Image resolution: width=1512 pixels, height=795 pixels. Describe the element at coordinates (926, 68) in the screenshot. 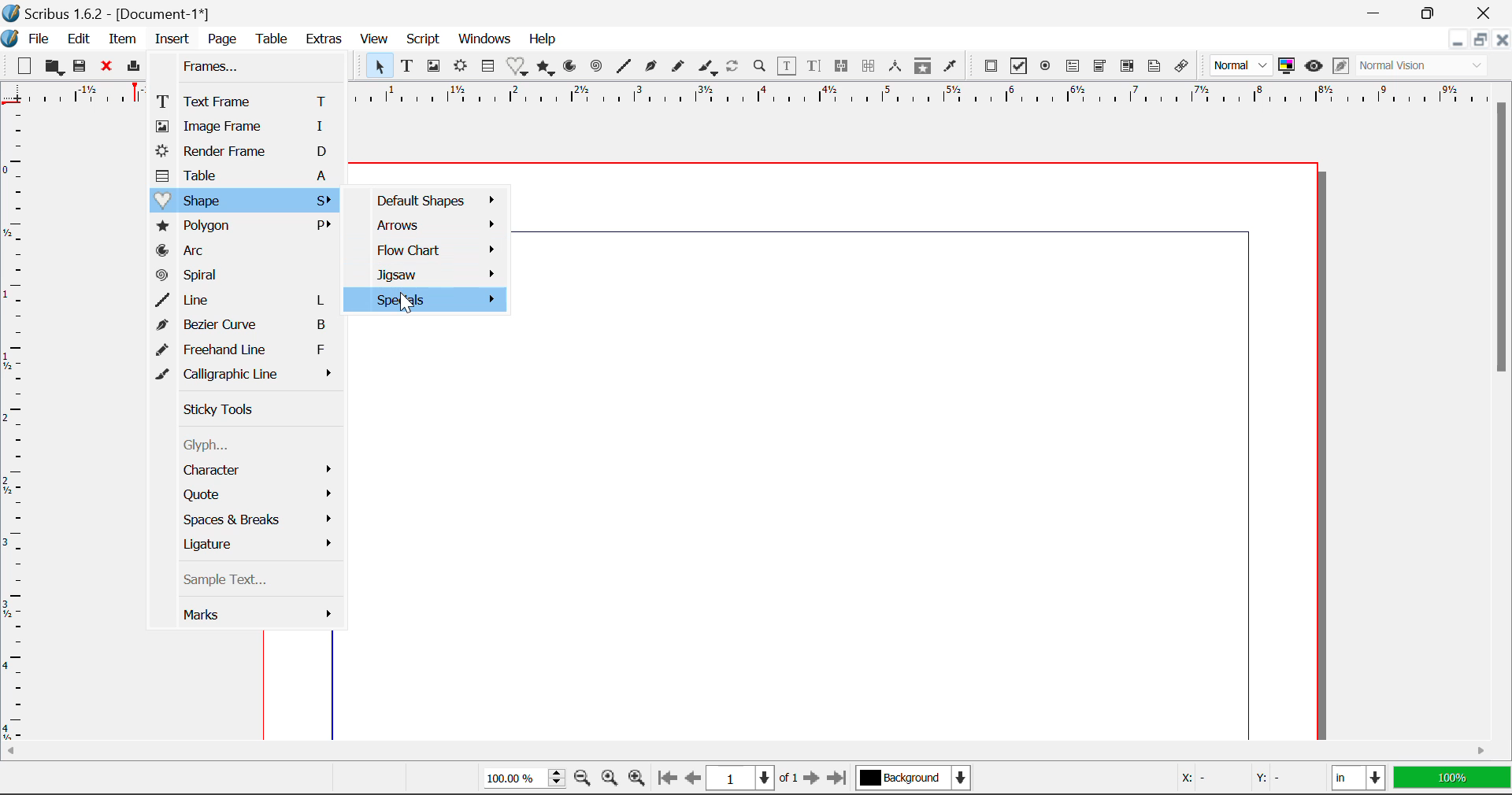

I see `Copy Item Properties` at that location.